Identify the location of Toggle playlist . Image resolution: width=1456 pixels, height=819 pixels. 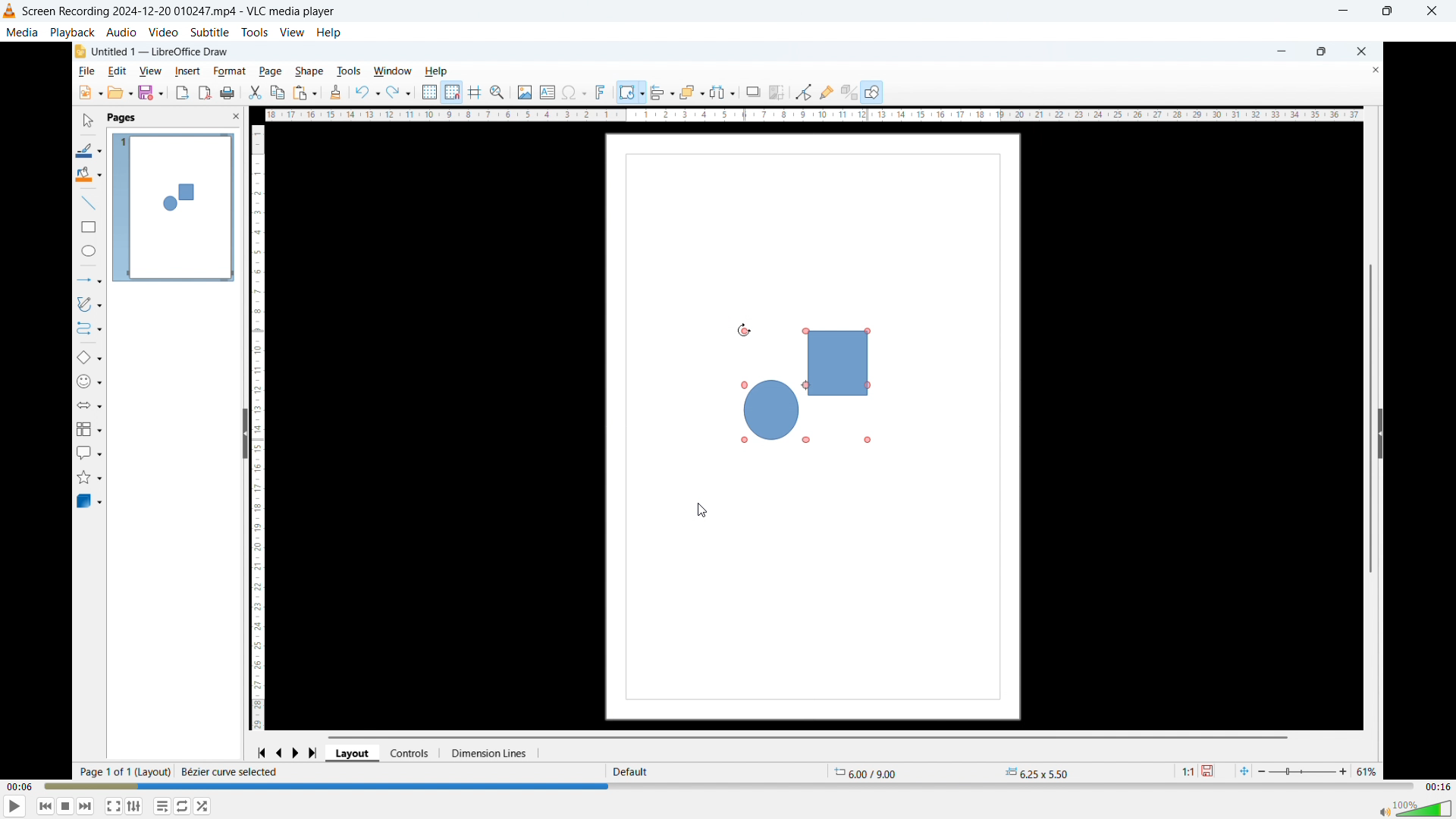
(134, 806).